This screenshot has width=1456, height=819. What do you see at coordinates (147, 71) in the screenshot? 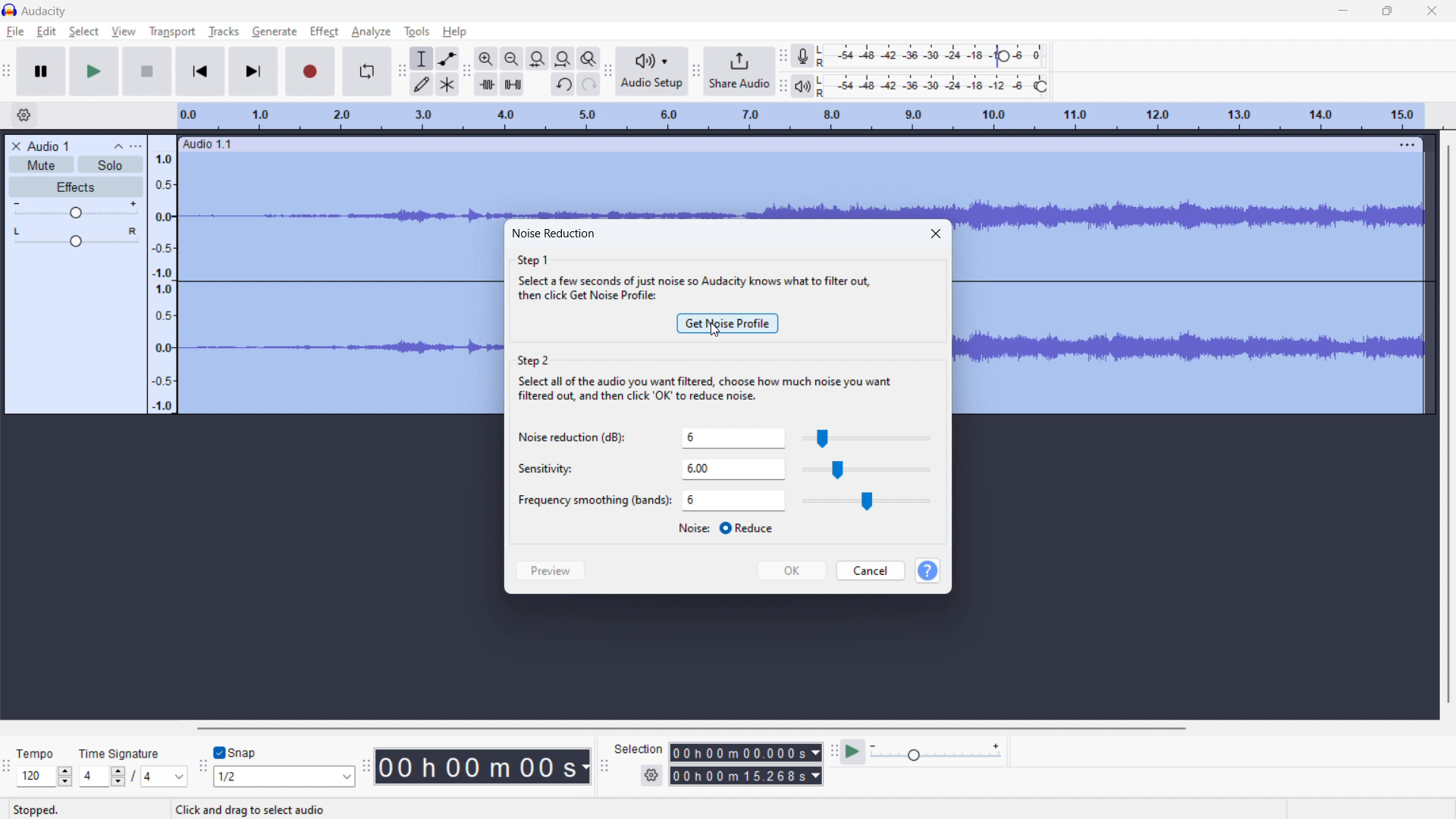
I see `stop` at bounding box center [147, 71].